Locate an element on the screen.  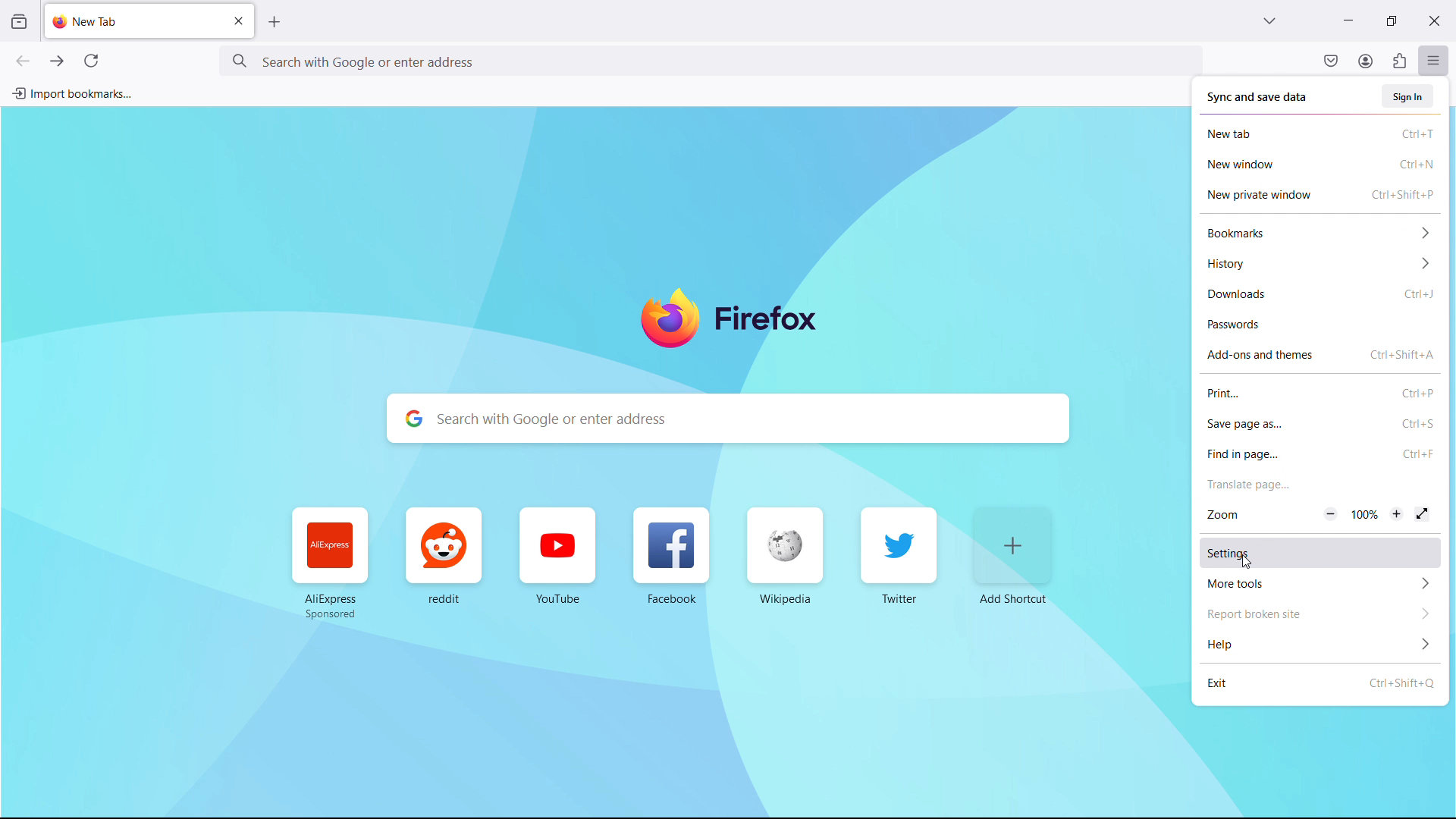
AliExpress
Sponsored is located at coordinates (331, 565).